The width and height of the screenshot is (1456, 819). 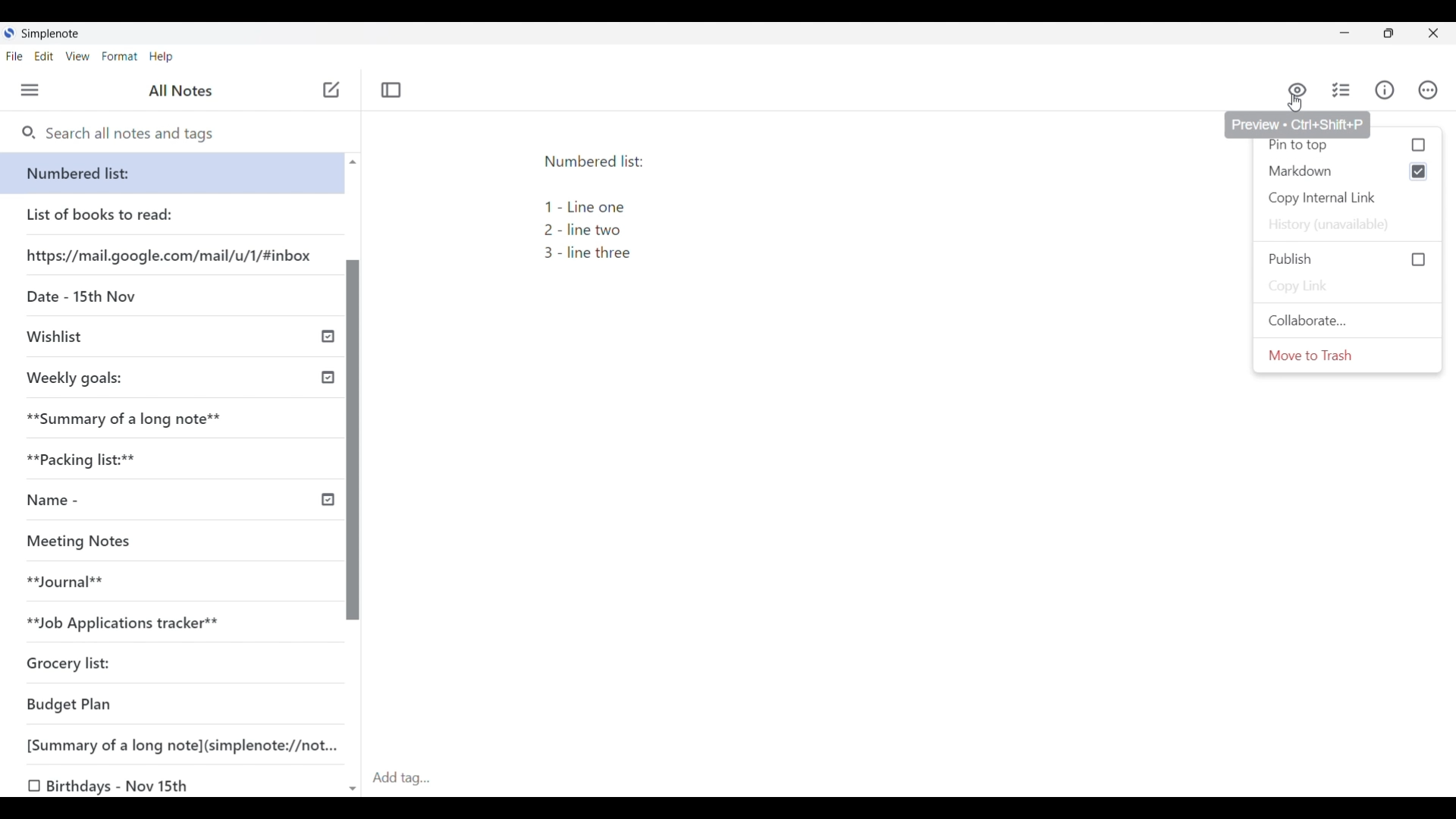 I want to click on **Journal**, so click(x=76, y=583).